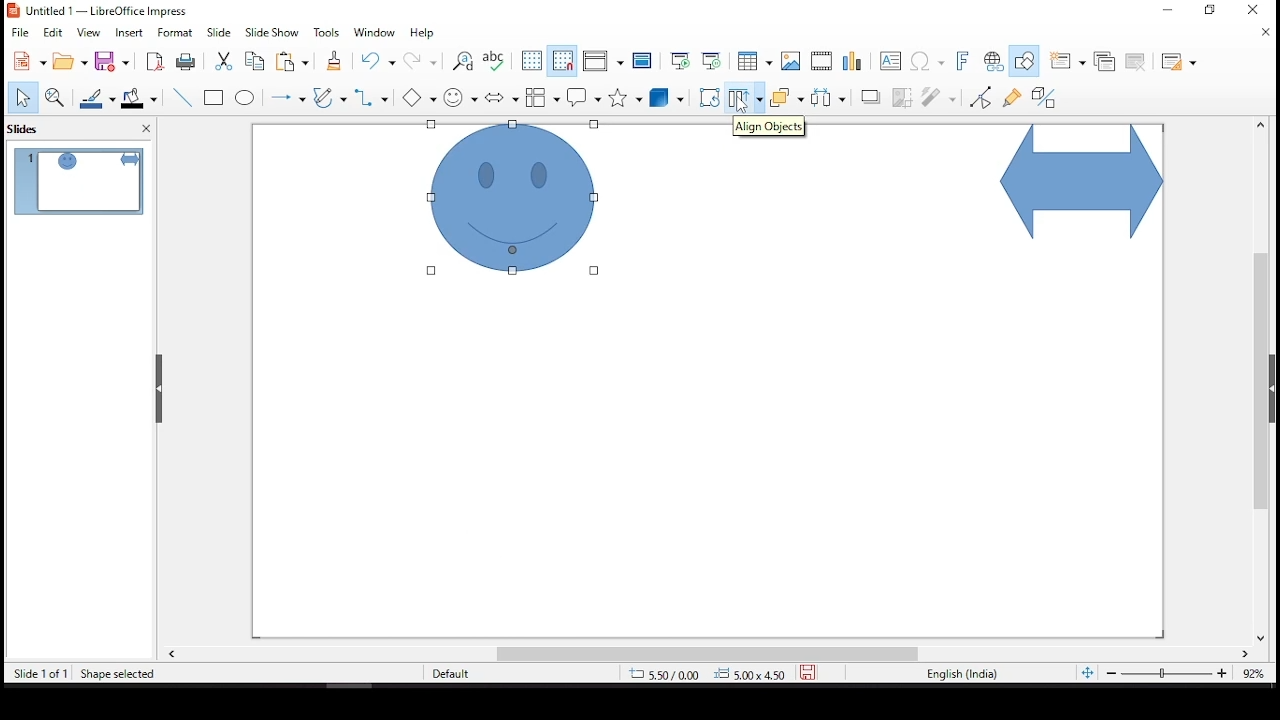 The width and height of the screenshot is (1280, 720). I want to click on rectangle, so click(216, 99).